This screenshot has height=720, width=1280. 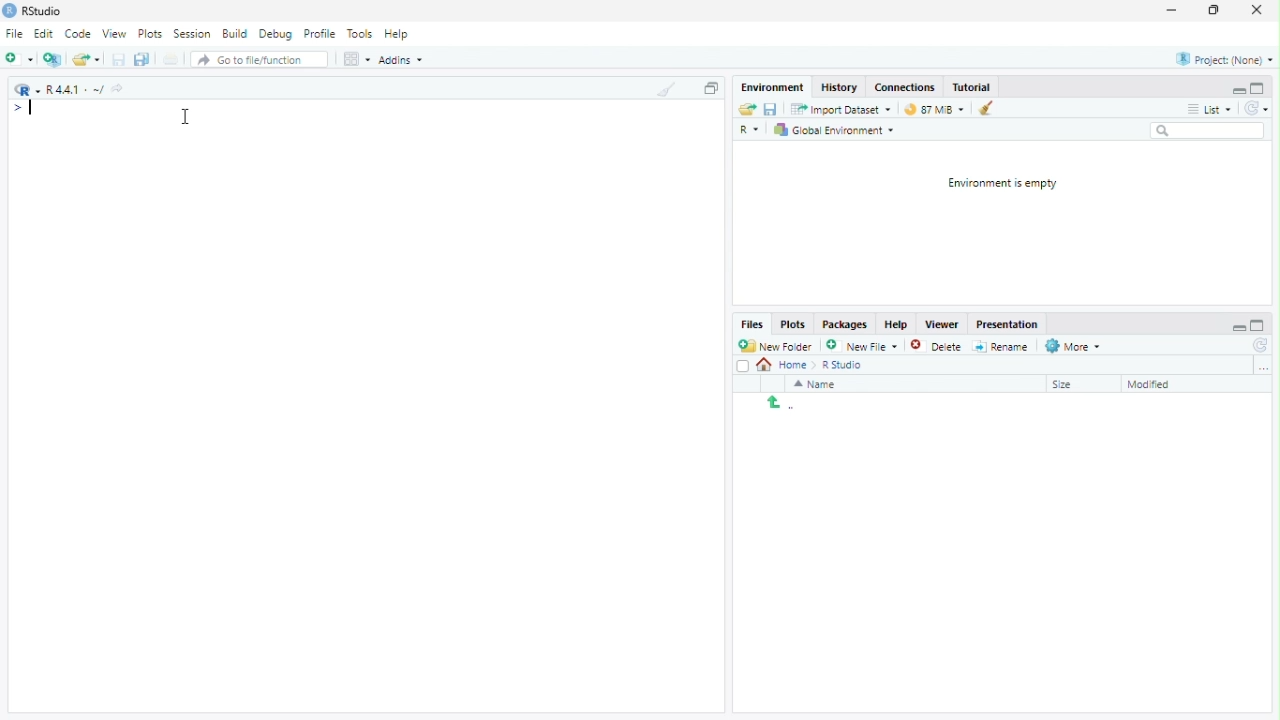 I want to click on Delete, so click(x=923, y=346).